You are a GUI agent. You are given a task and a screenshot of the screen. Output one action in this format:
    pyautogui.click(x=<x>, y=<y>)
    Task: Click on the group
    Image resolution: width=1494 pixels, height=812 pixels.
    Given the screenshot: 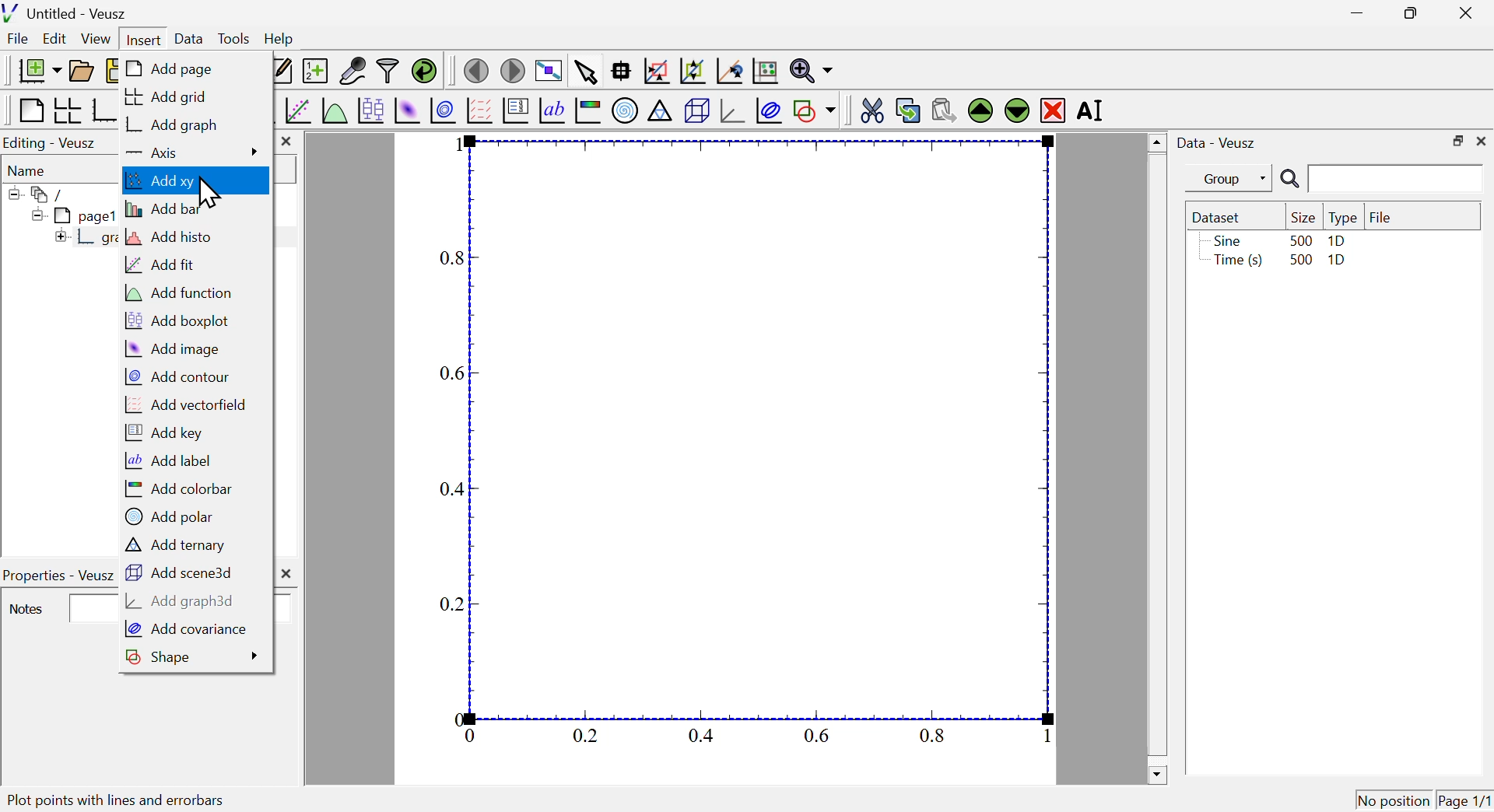 What is the action you would take?
    pyautogui.click(x=1221, y=179)
    